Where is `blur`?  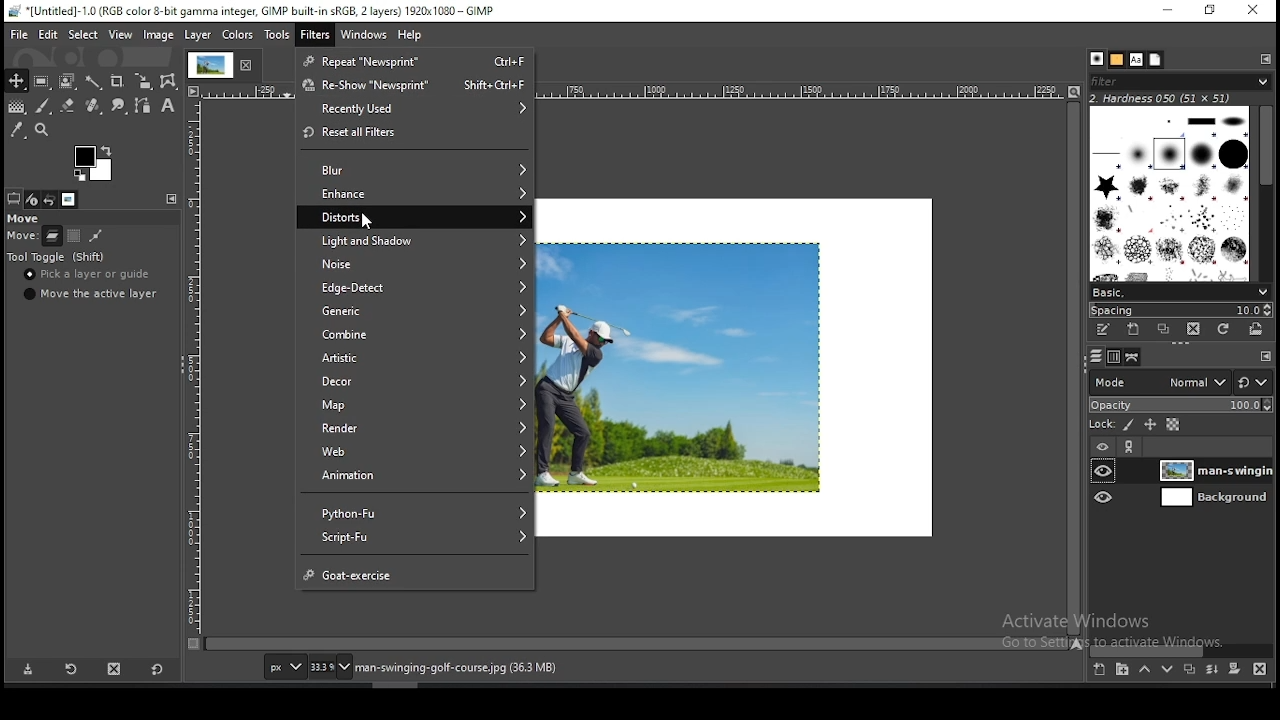 blur is located at coordinates (413, 167).